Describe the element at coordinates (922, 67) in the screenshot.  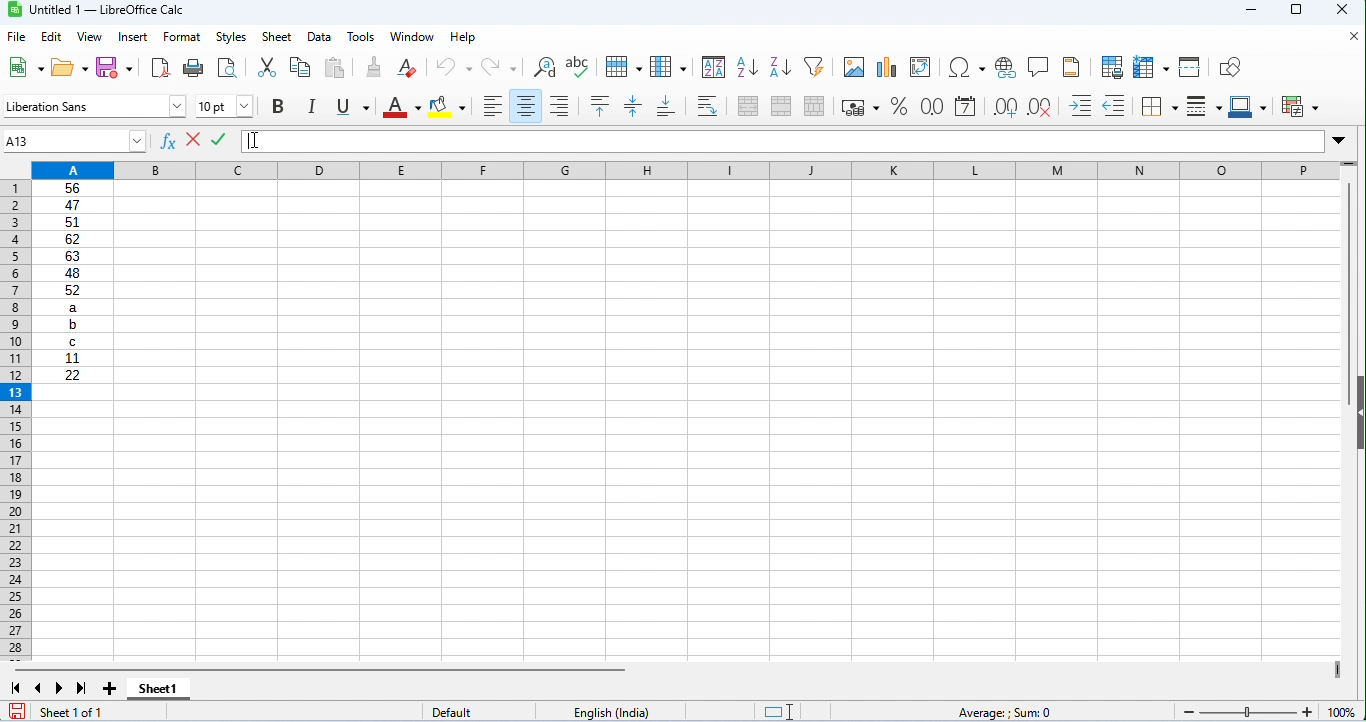
I see `insert or edit pivot table` at that location.